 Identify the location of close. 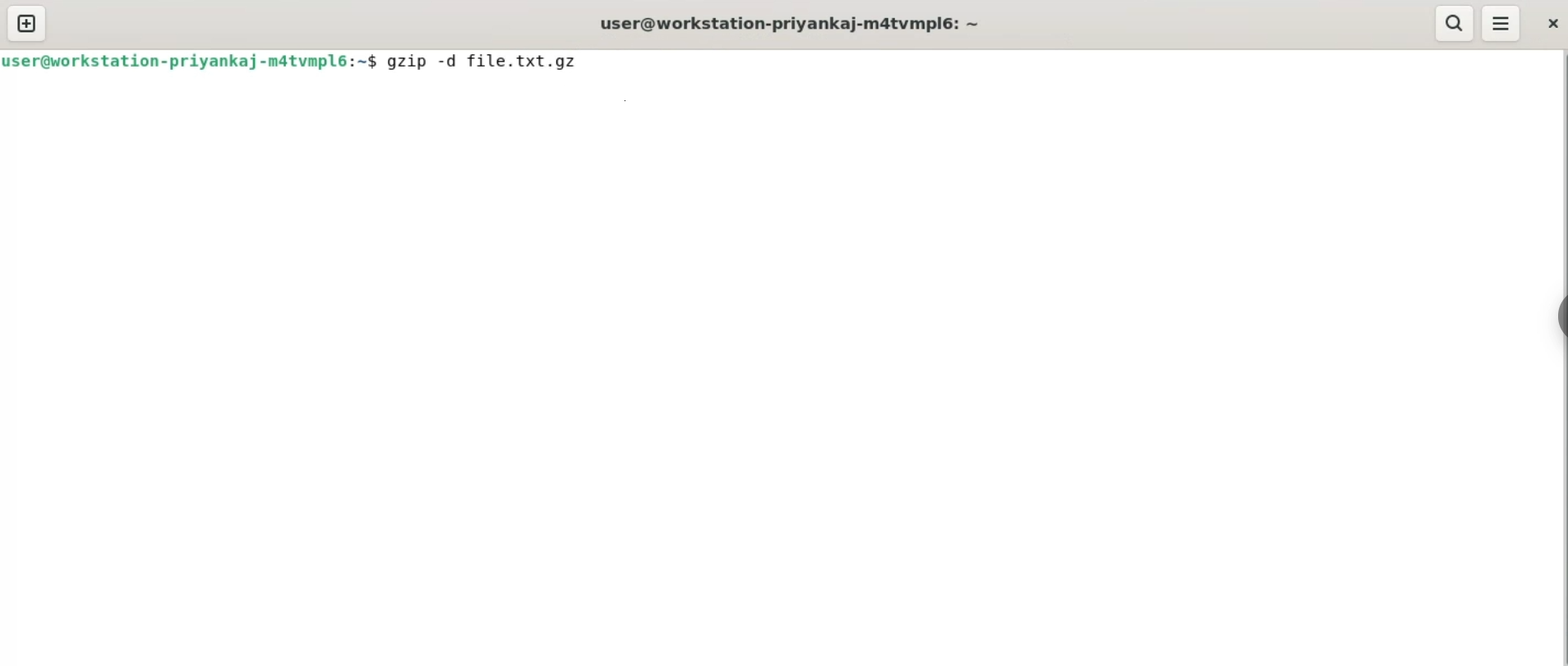
(1553, 23).